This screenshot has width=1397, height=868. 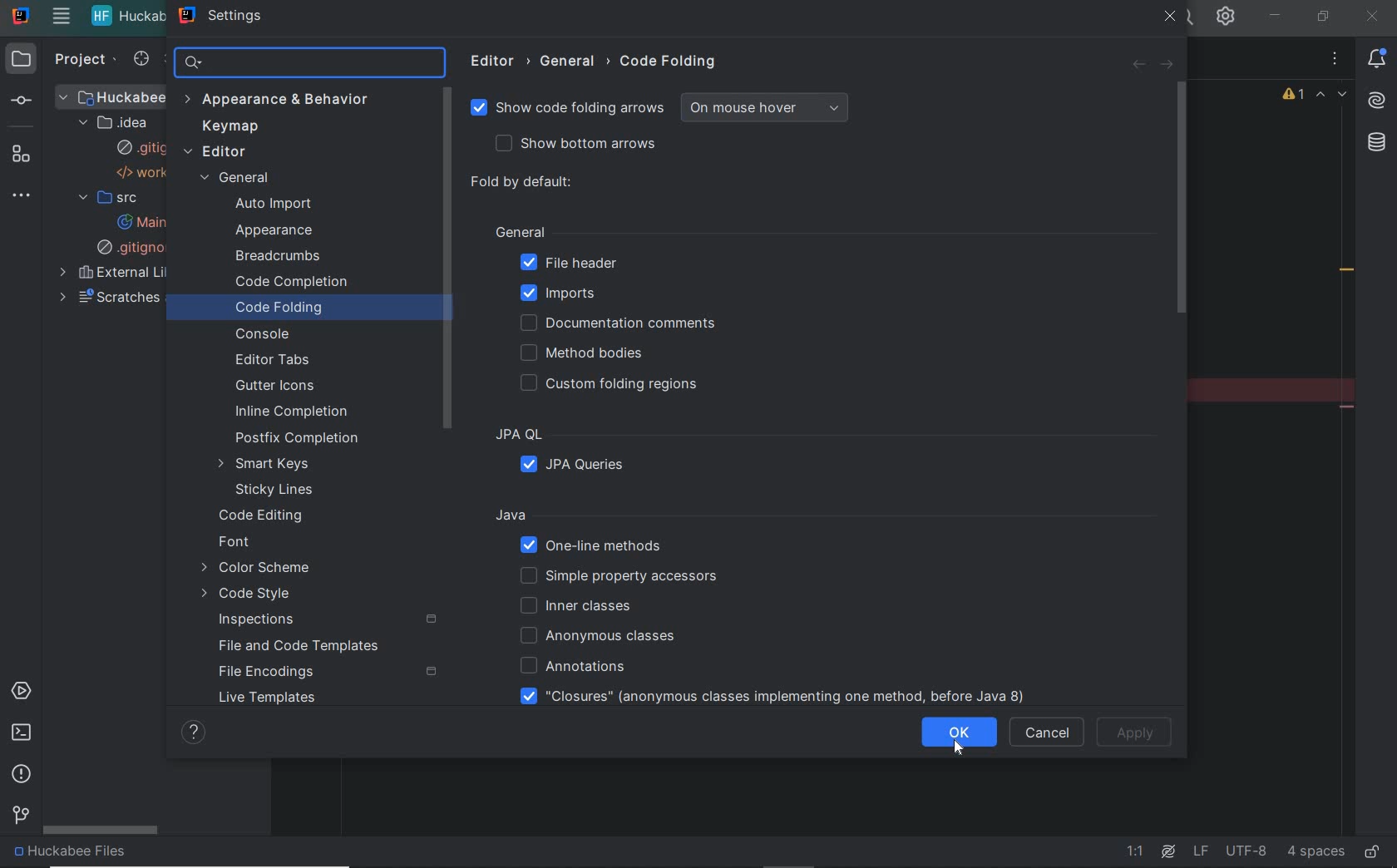 What do you see at coordinates (269, 671) in the screenshot?
I see `file encodings` at bounding box center [269, 671].